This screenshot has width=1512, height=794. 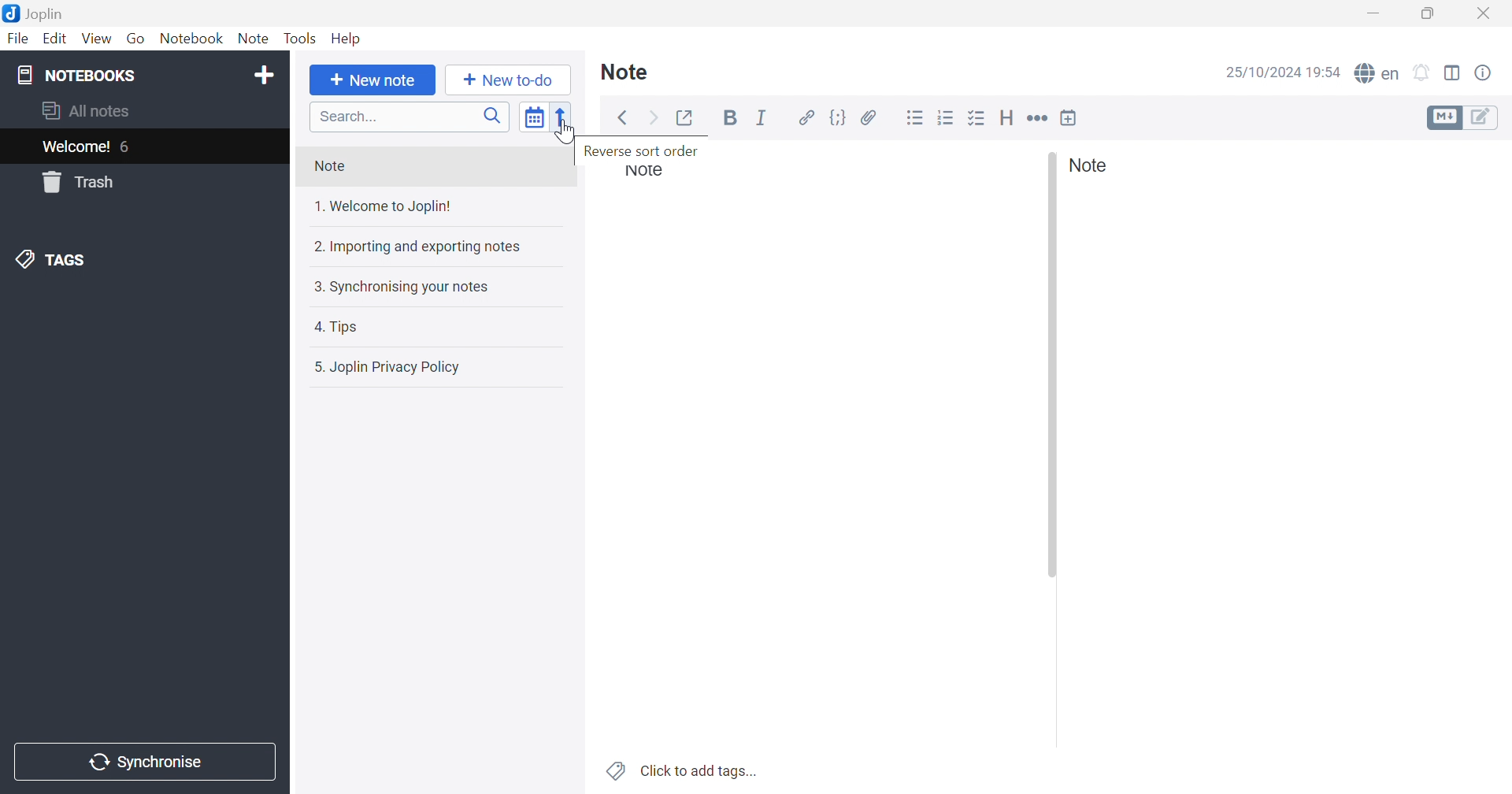 I want to click on Reverse sort order, so click(x=564, y=118).